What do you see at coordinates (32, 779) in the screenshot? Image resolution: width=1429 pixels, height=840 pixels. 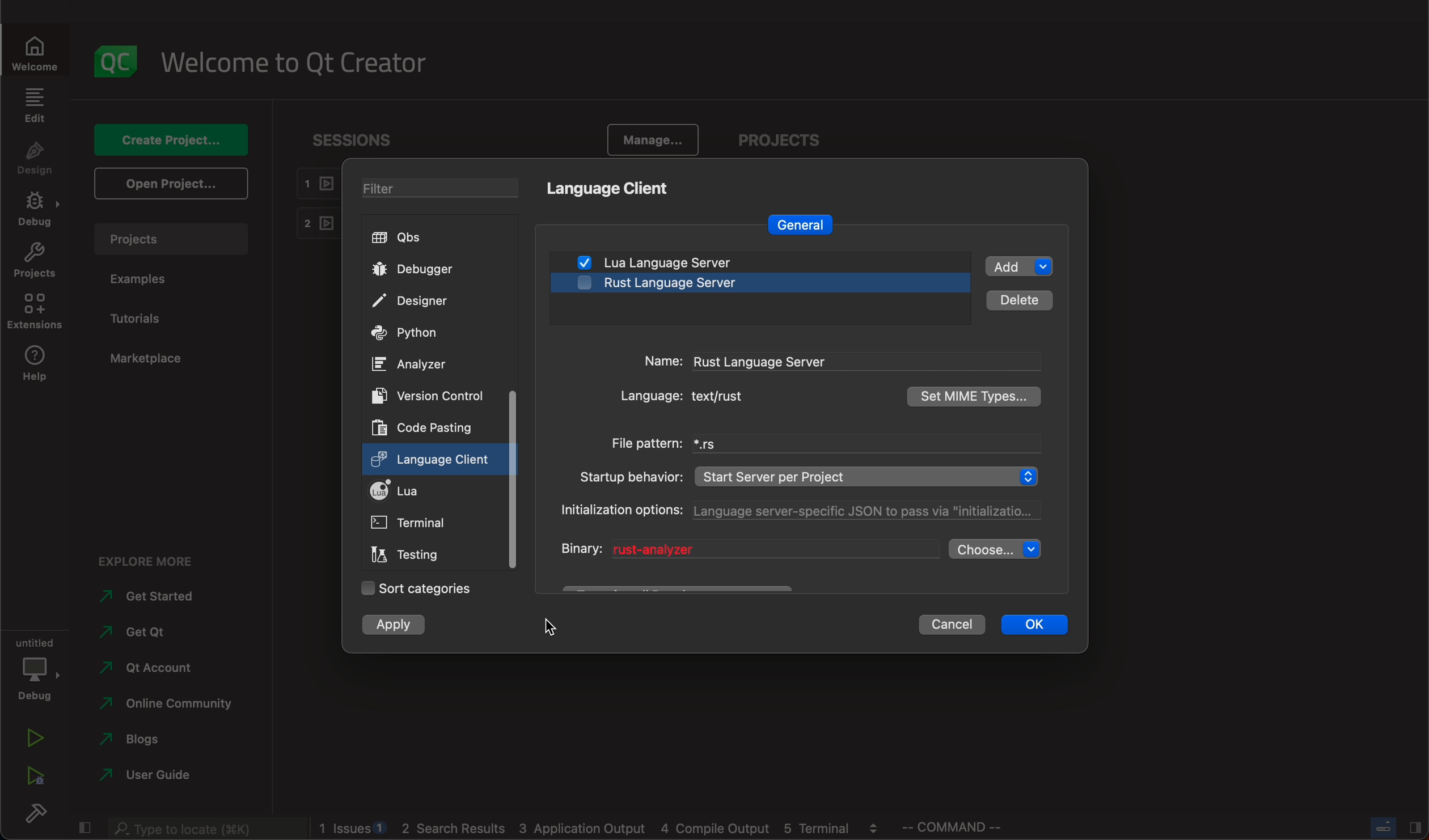 I see `run debug` at bounding box center [32, 779].